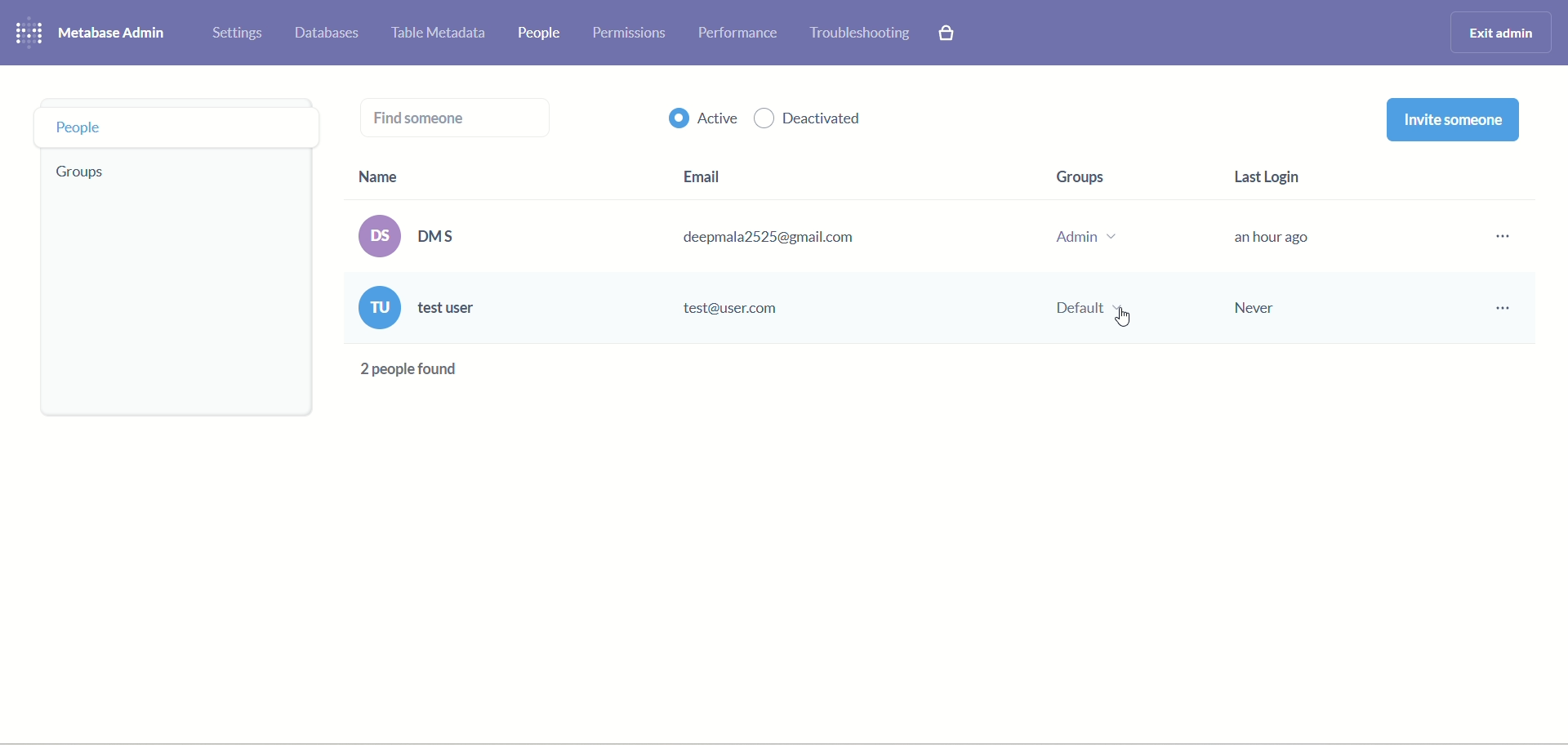 The width and height of the screenshot is (1568, 745). I want to click on deactivated, so click(811, 120).